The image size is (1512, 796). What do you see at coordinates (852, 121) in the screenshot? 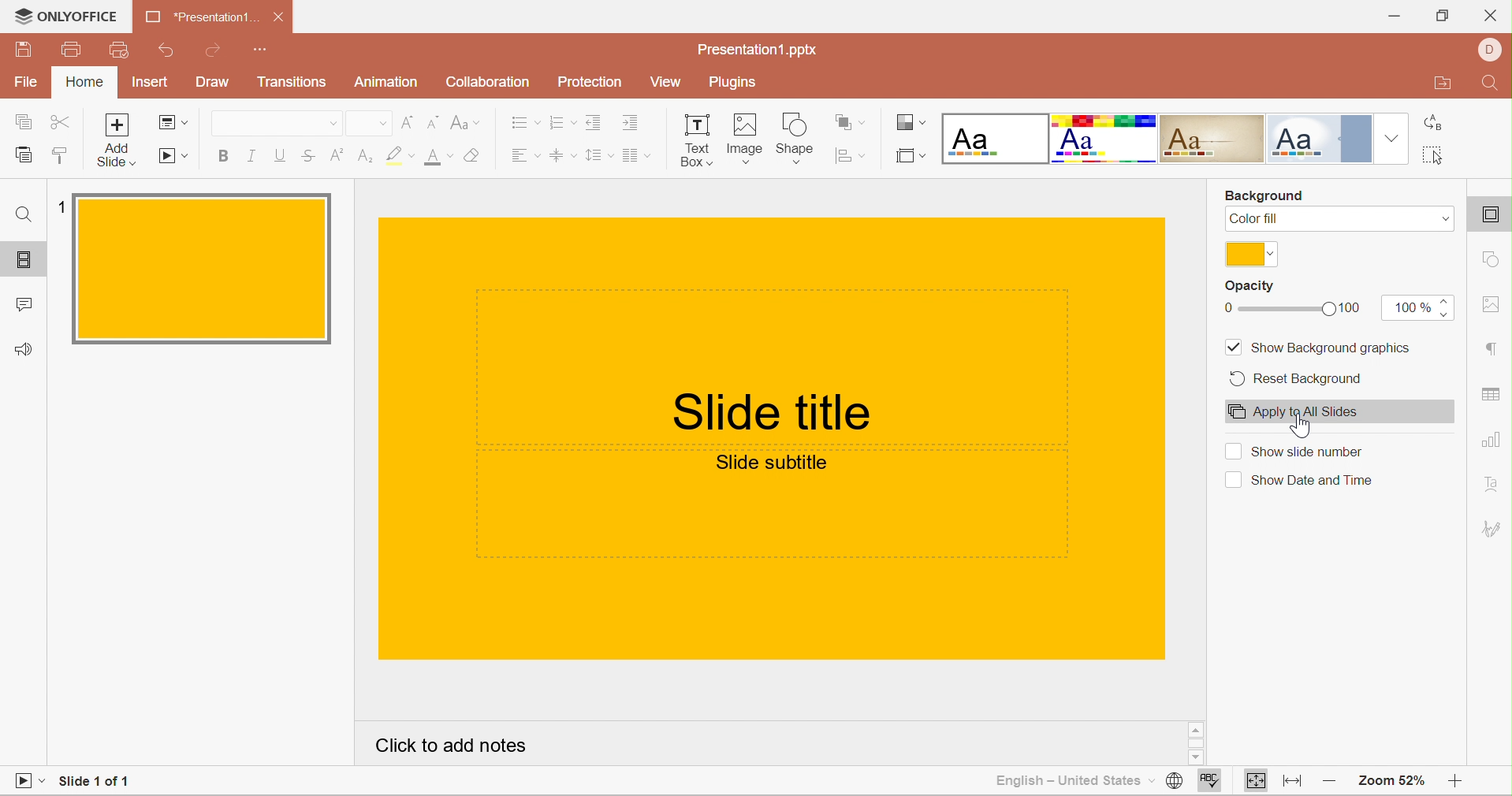
I see `Arrange shape` at bounding box center [852, 121].